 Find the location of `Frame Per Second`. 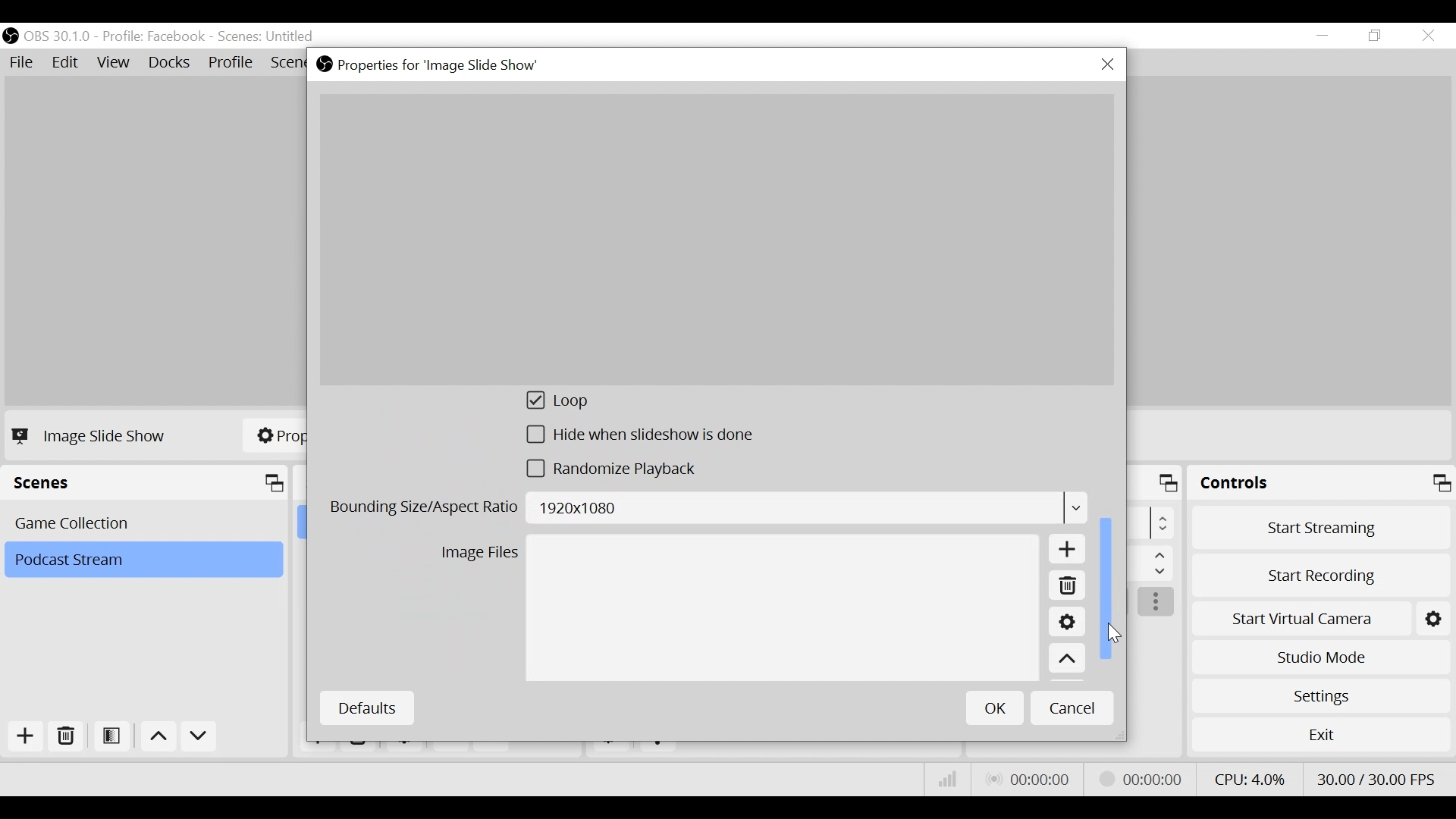

Frame Per Second is located at coordinates (1376, 776).